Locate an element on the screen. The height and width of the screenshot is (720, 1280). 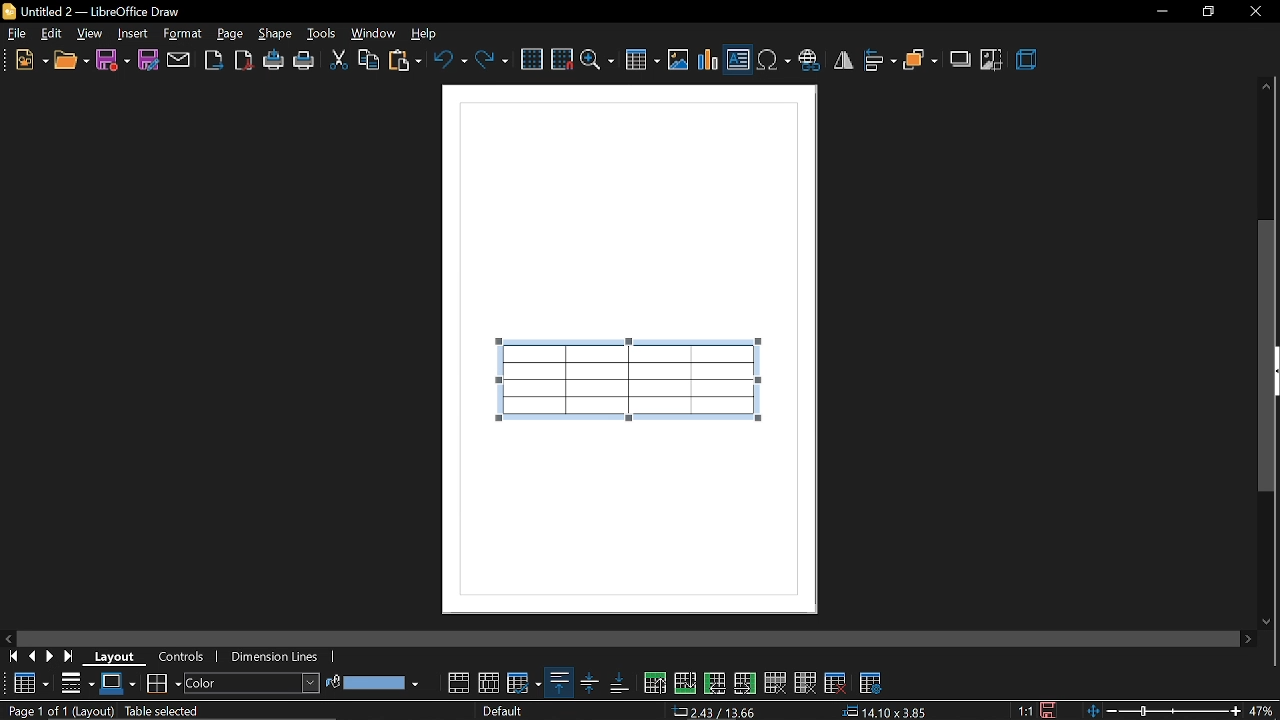
export as pdf is located at coordinates (241, 60).